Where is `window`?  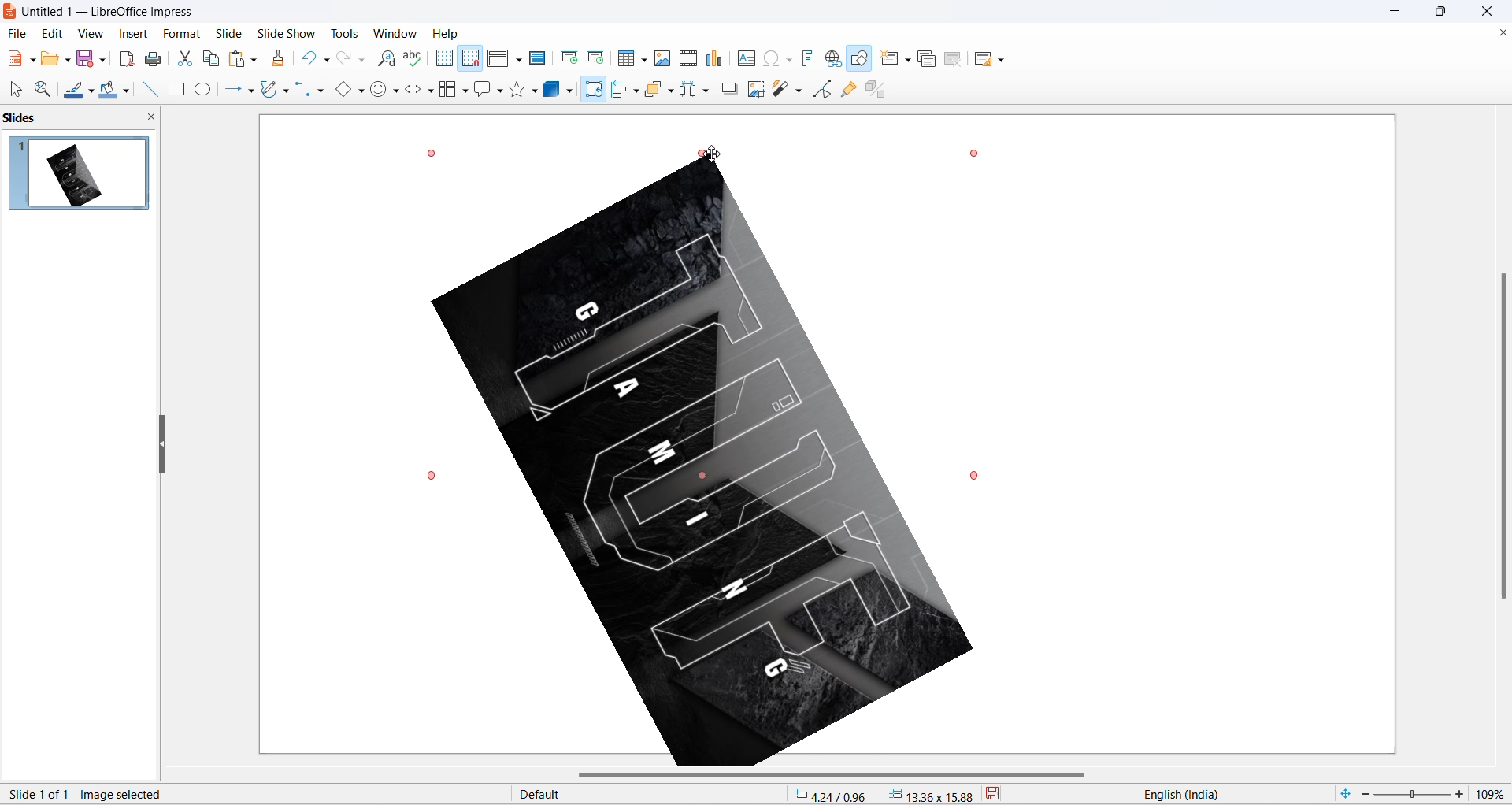 window is located at coordinates (398, 33).